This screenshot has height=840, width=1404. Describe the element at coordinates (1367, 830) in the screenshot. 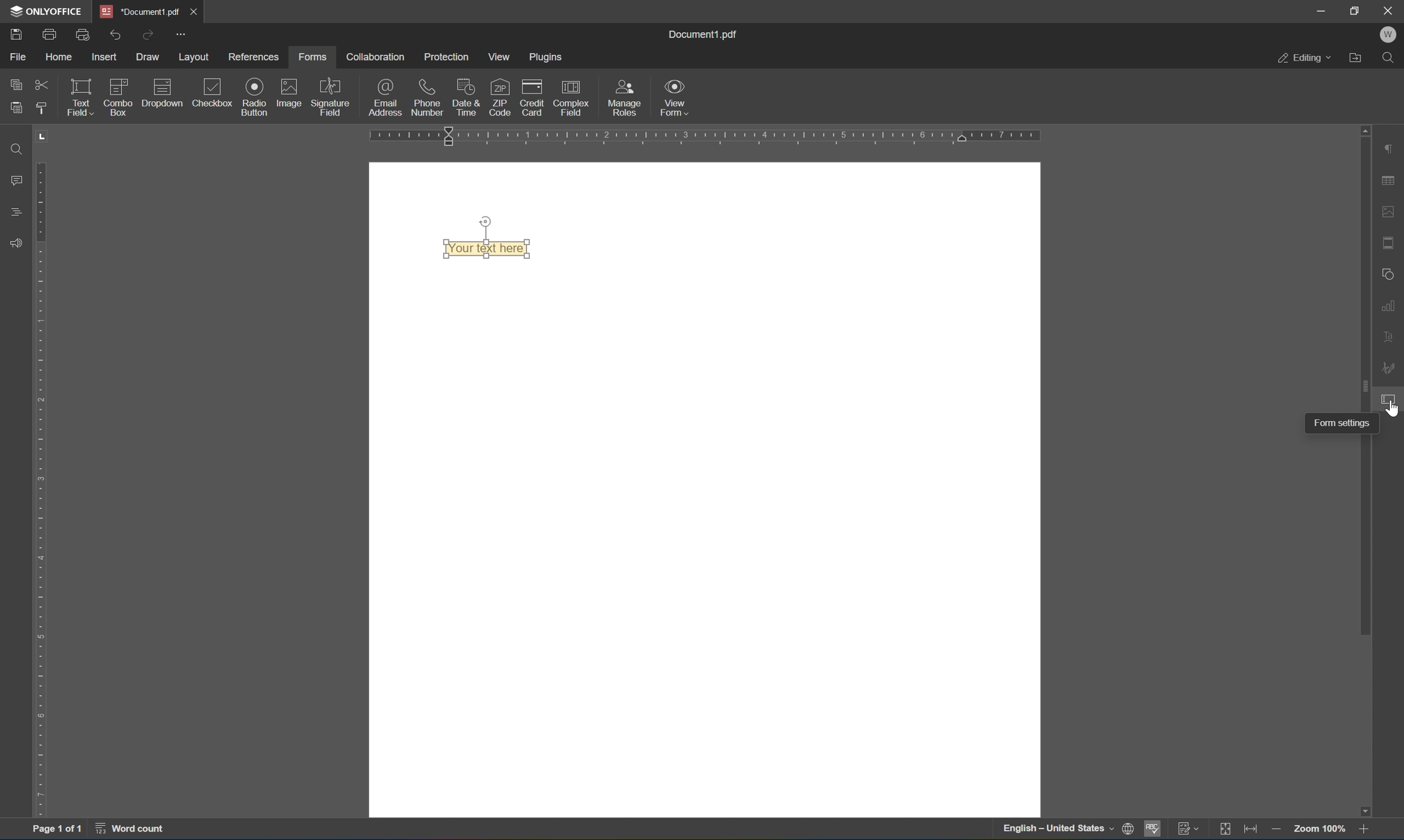

I see `zoom out` at that location.